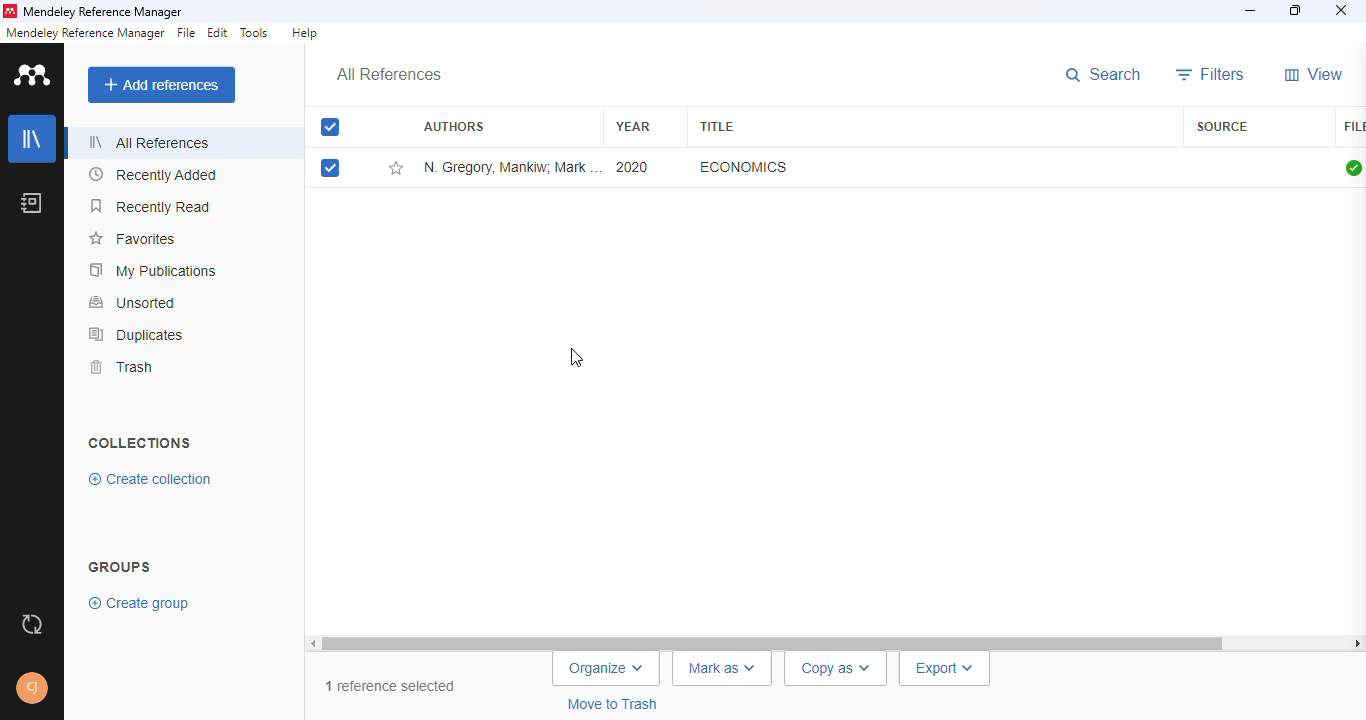 This screenshot has height=720, width=1366. Describe the element at coordinates (723, 669) in the screenshot. I see `mark as` at that location.